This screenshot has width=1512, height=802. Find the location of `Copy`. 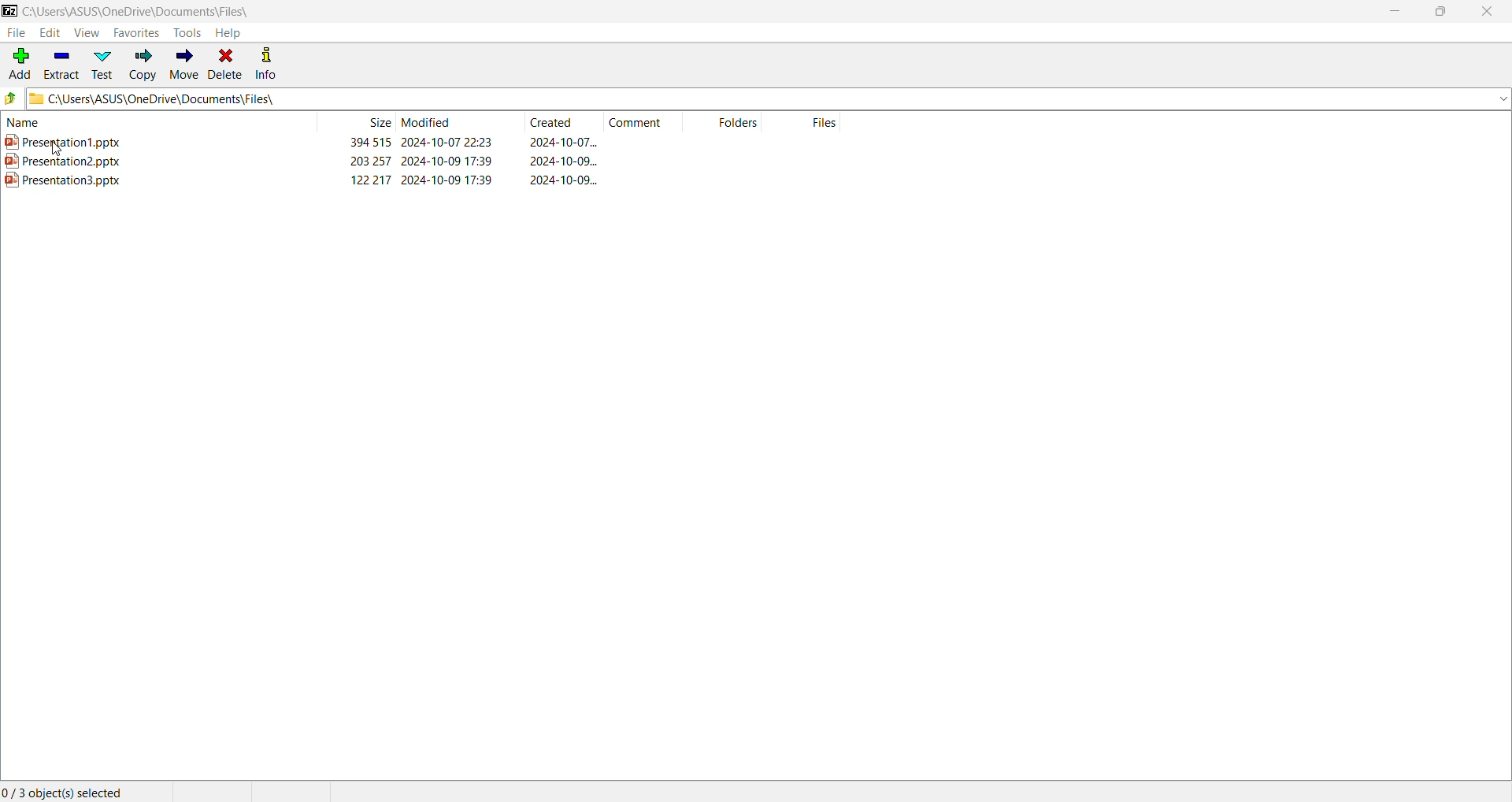

Copy is located at coordinates (143, 66).